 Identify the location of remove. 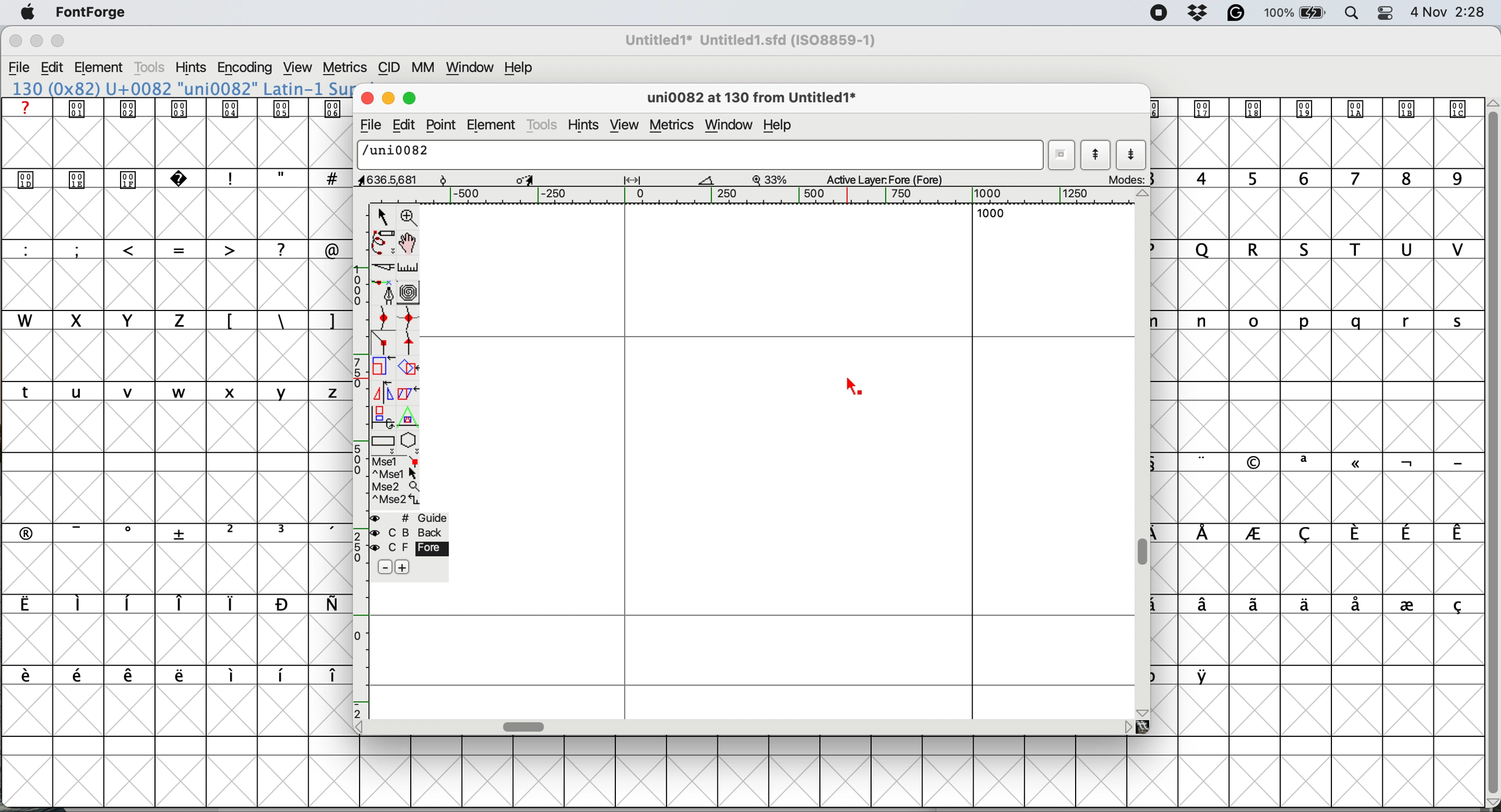
(386, 568).